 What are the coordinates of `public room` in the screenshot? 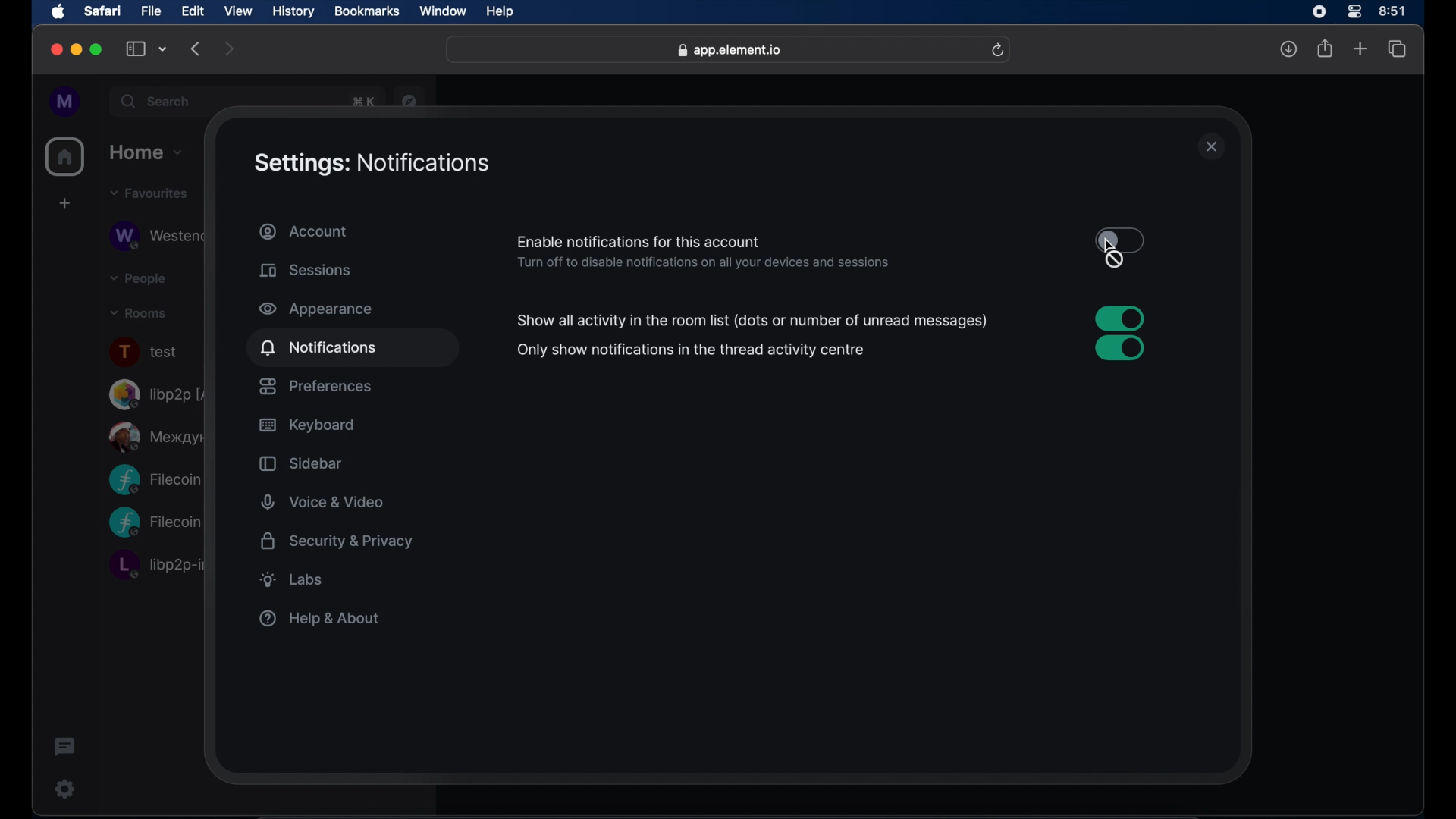 It's located at (158, 437).